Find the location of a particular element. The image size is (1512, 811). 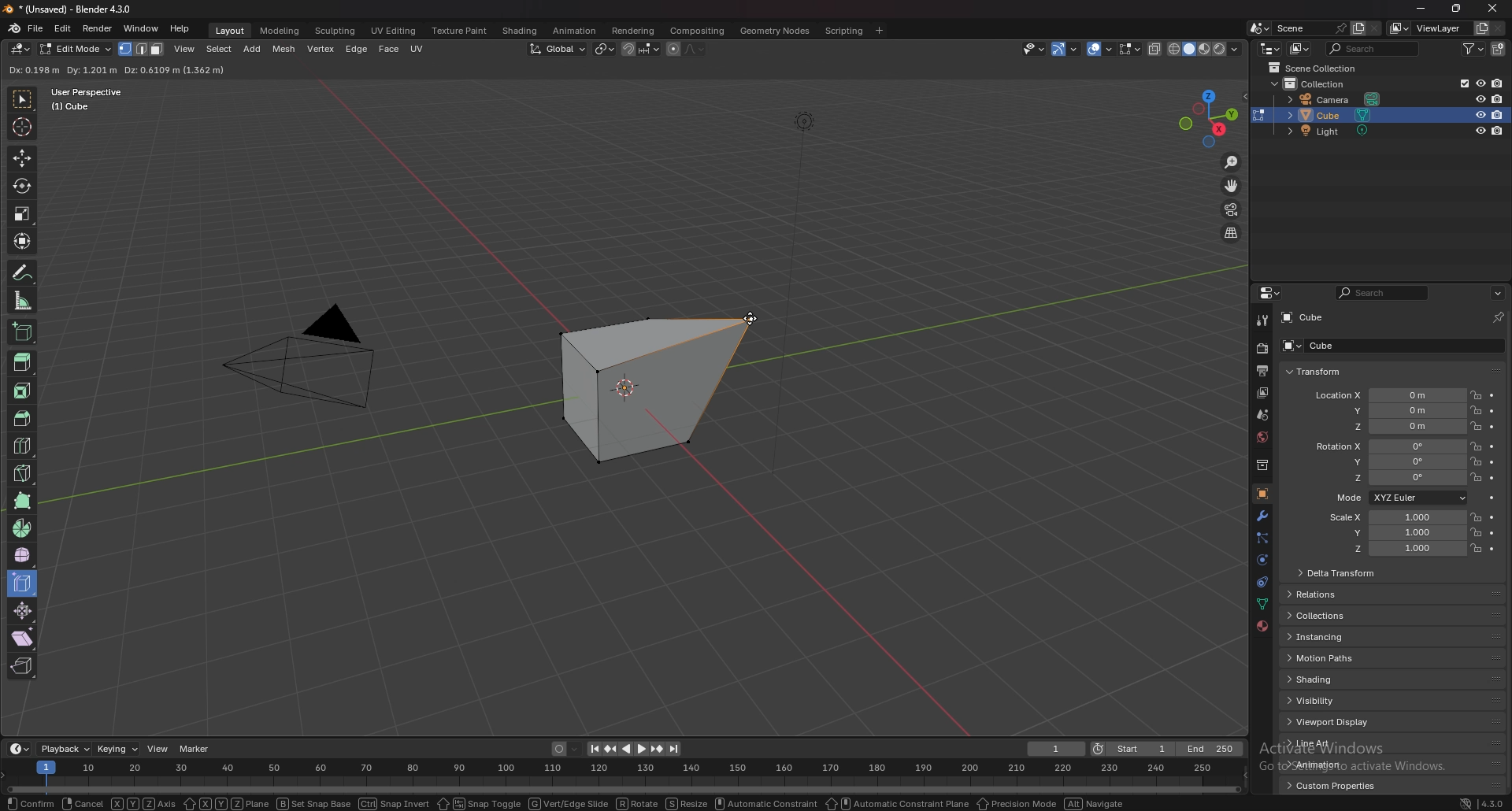

lock is located at coordinates (1475, 517).